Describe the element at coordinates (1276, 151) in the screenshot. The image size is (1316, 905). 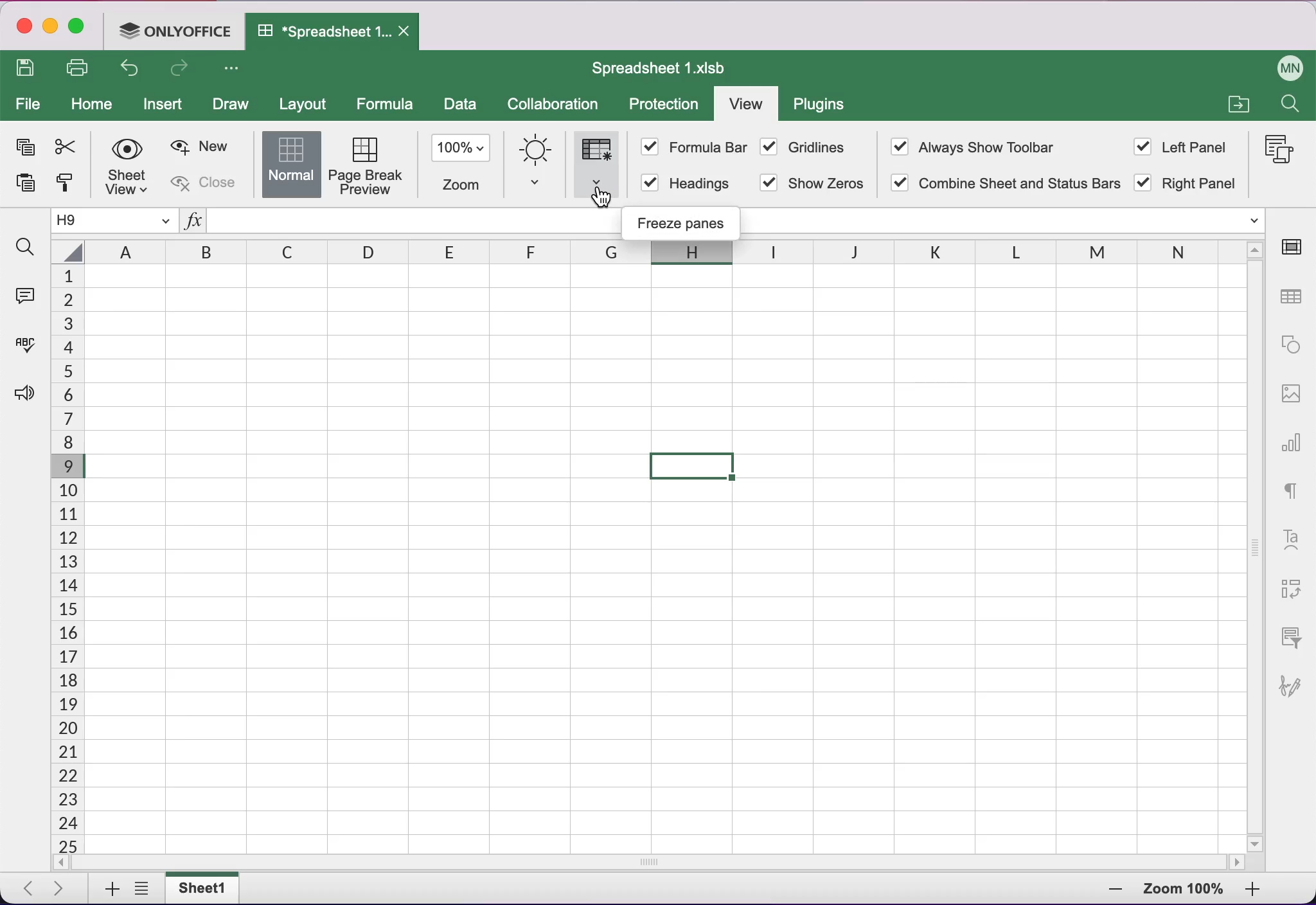
I see `macros` at that location.